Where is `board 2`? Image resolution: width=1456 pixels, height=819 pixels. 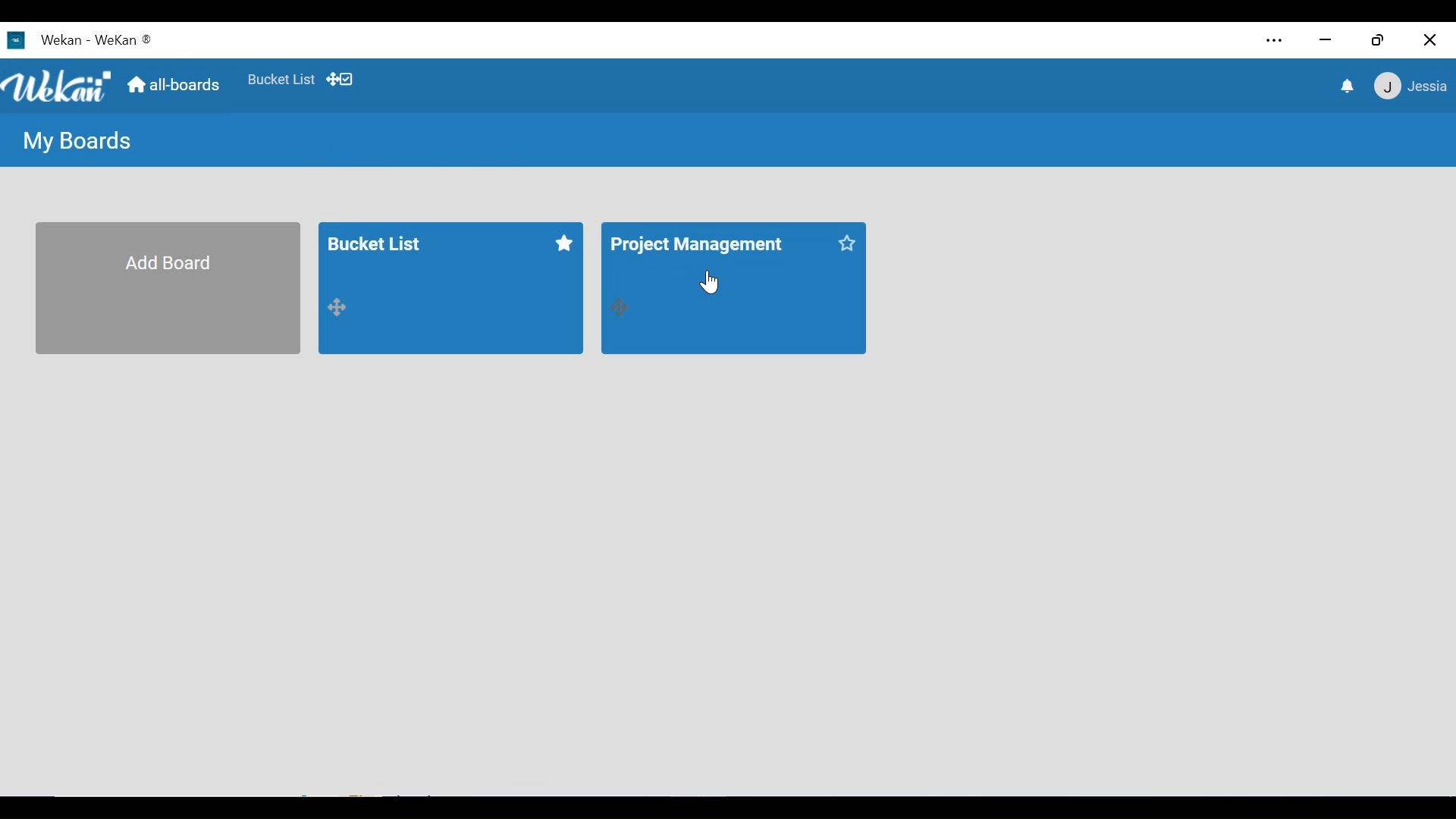 board 2 is located at coordinates (733, 307).